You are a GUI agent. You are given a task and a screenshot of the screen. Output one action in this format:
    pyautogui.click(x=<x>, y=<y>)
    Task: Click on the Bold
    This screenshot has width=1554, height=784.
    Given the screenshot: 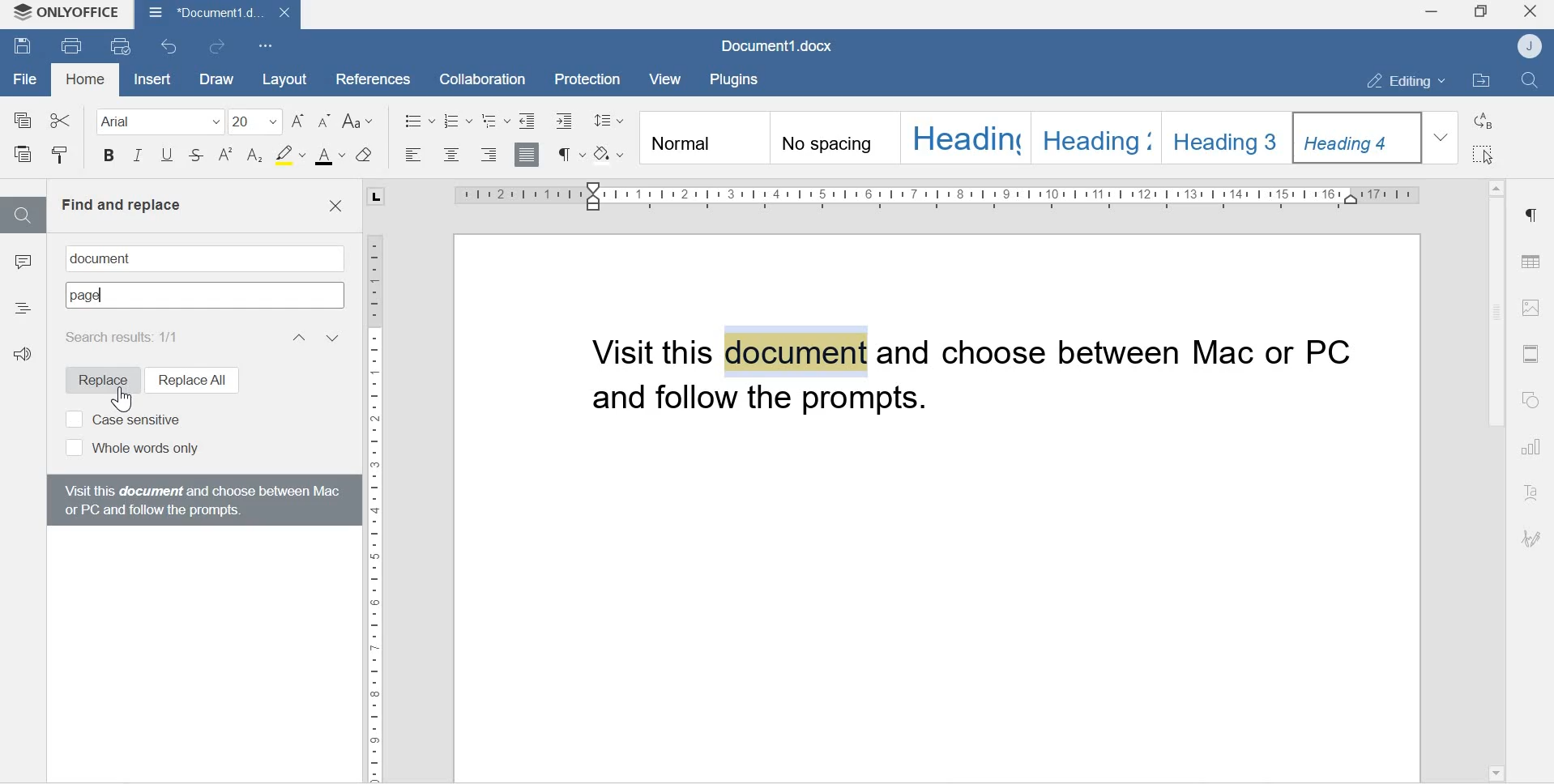 What is the action you would take?
    pyautogui.click(x=109, y=158)
    